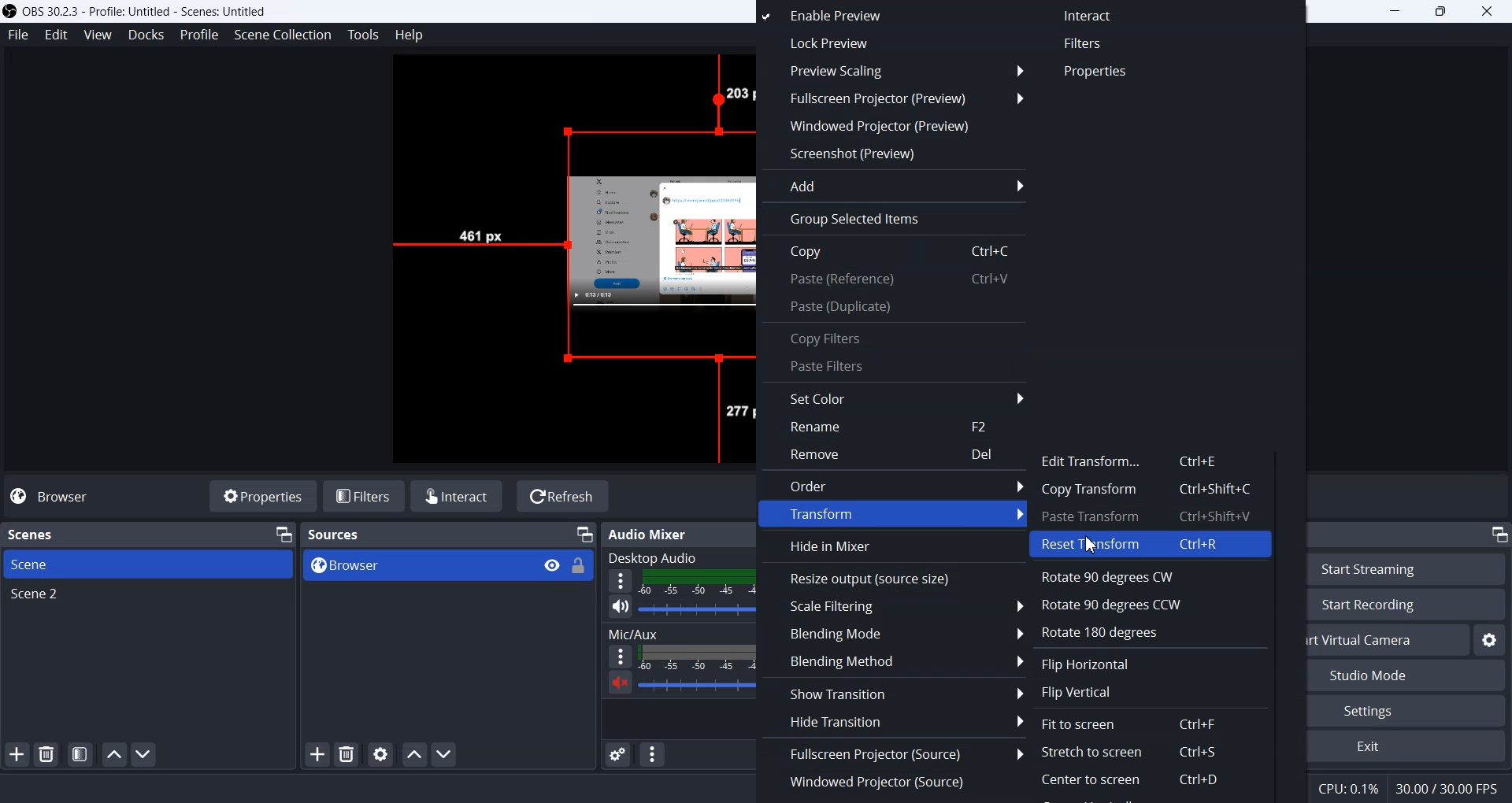  I want to click on Profile, so click(198, 34).